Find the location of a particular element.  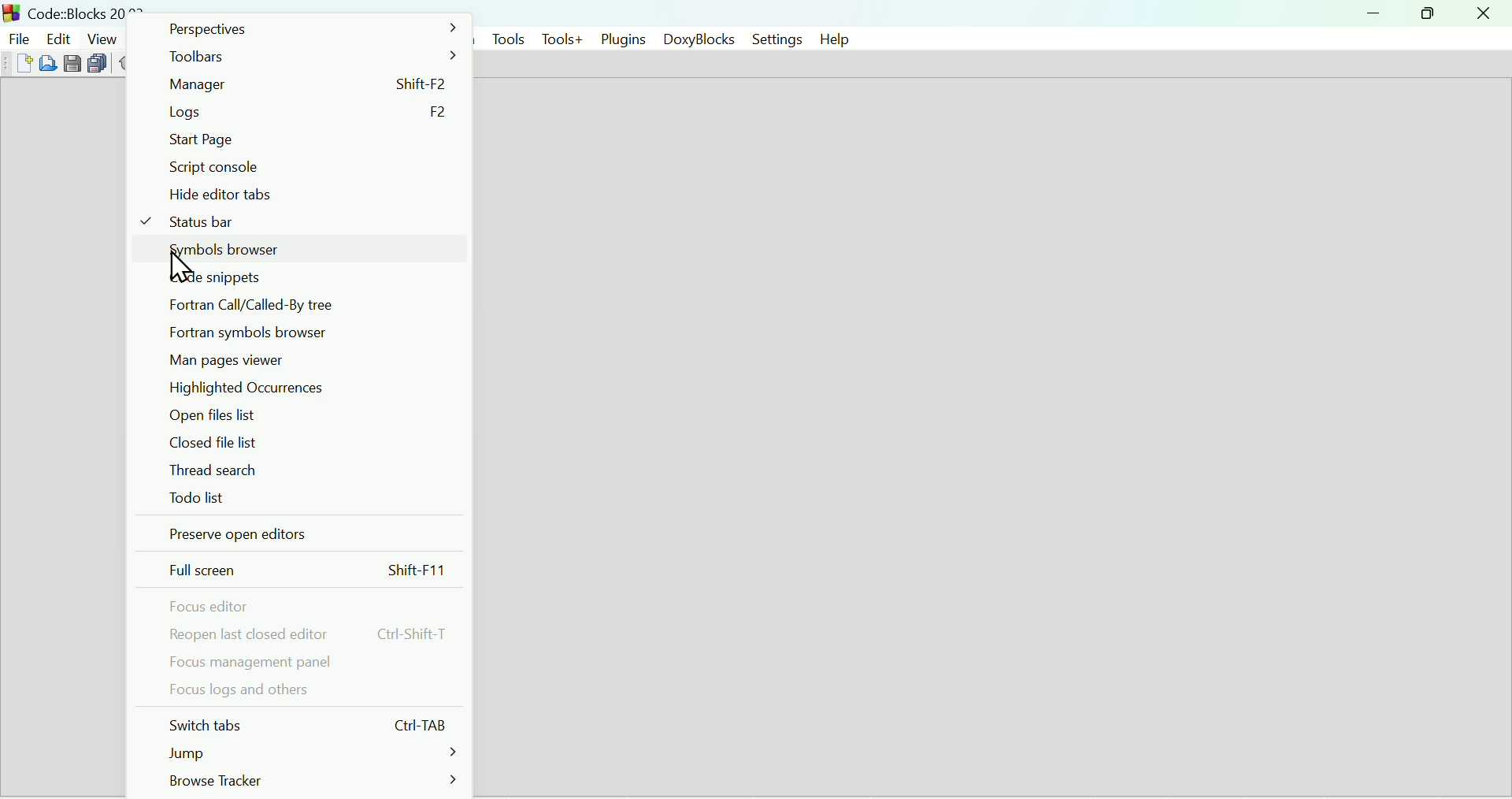

Browse tracker is located at coordinates (313, 781).